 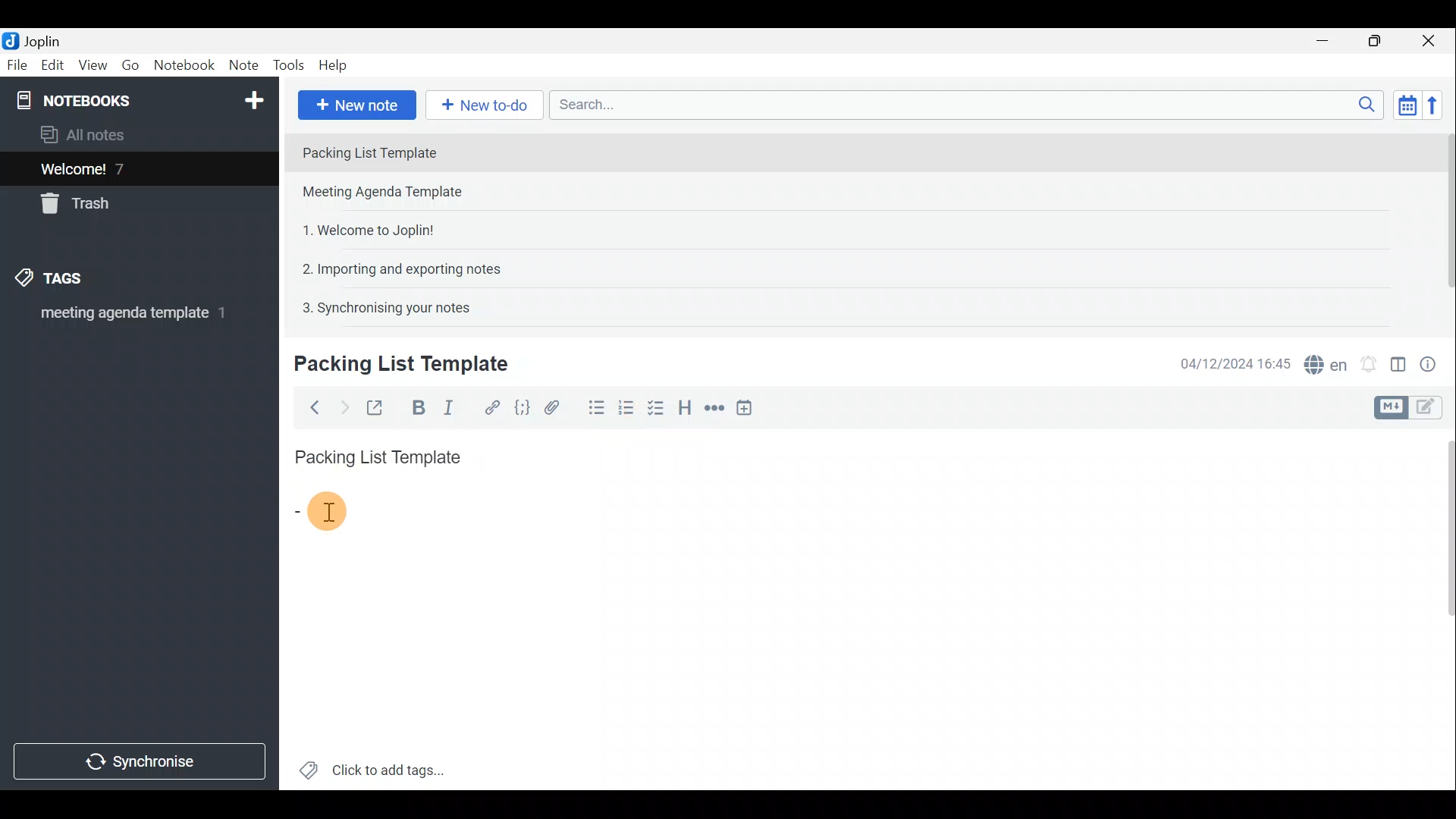 I want to click on Packing List Template, so click(x=375, y=453).